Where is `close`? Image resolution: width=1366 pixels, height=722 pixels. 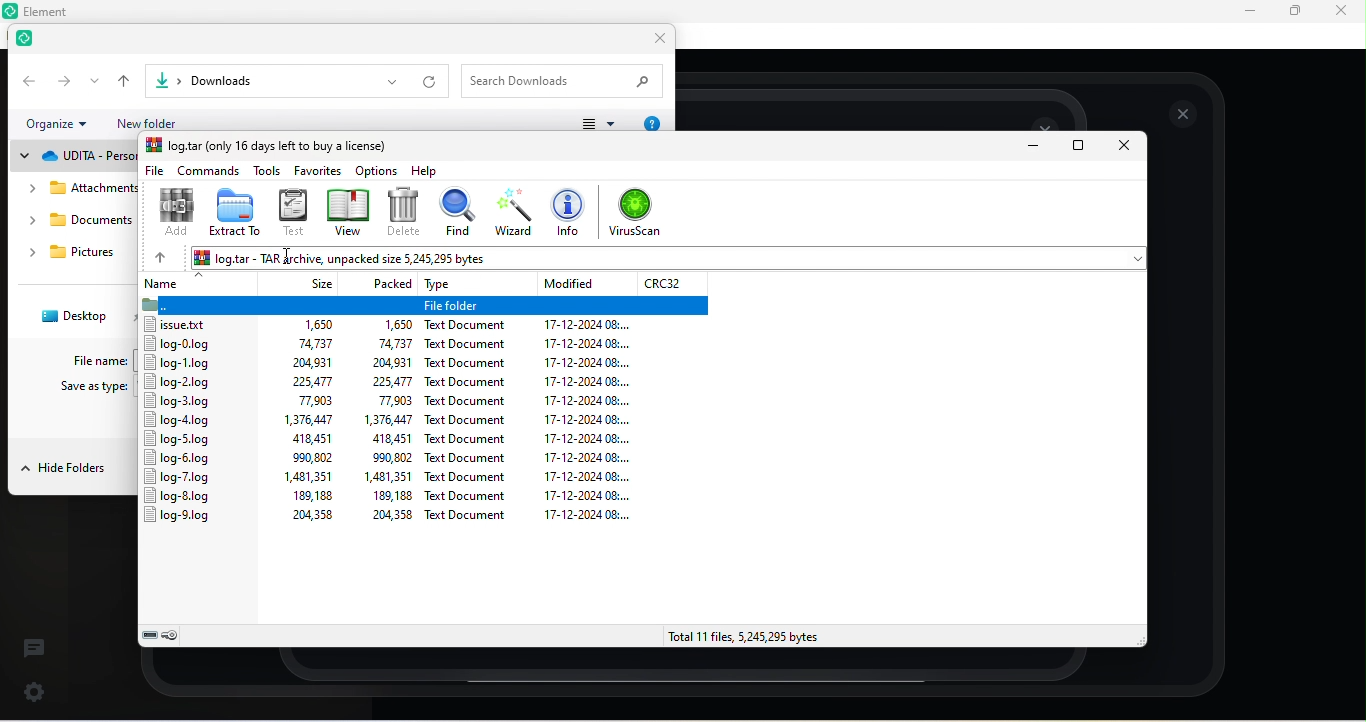
close is located at coordinates (1126, 145).